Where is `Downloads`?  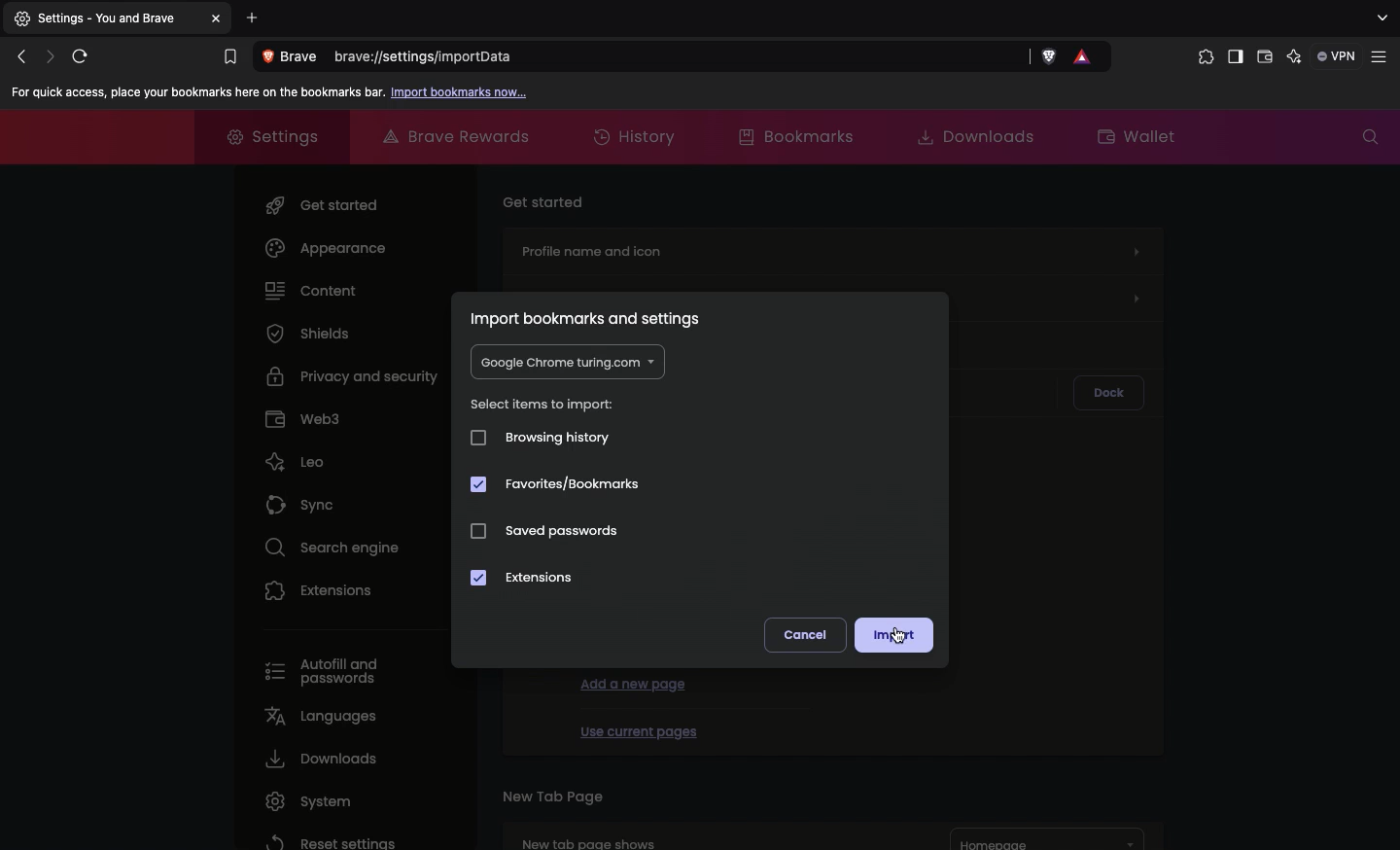 Downloads is located at coordinates (318, 759).